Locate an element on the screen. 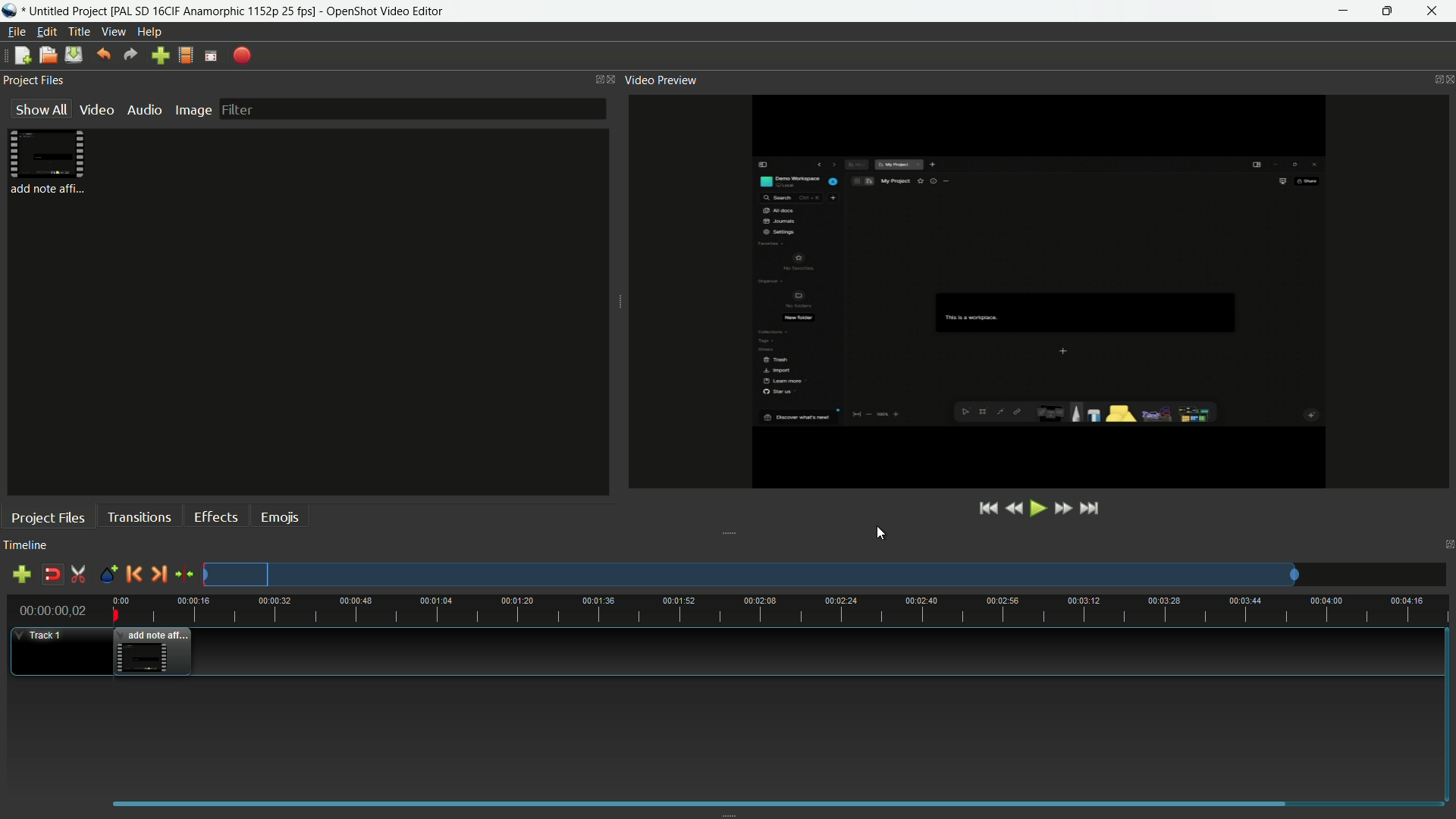 This screenshot has width=1456, height=819. emojis is located at coordinates (280, 516).